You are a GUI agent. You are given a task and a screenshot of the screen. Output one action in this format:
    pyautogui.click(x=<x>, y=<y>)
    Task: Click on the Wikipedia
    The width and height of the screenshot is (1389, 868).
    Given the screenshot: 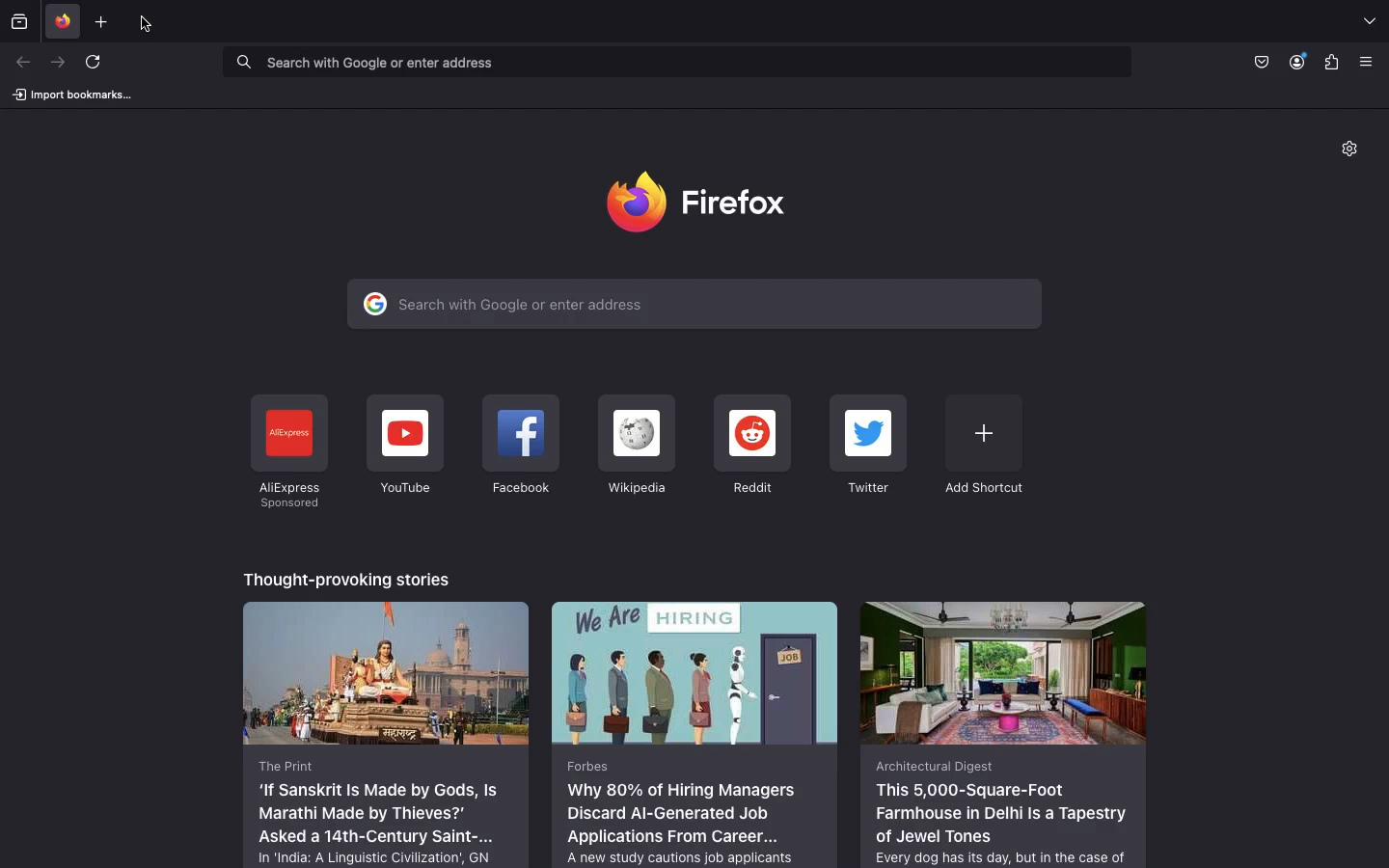 What is the action you would take?
    pyautogui.click(x=635, y=446)
    